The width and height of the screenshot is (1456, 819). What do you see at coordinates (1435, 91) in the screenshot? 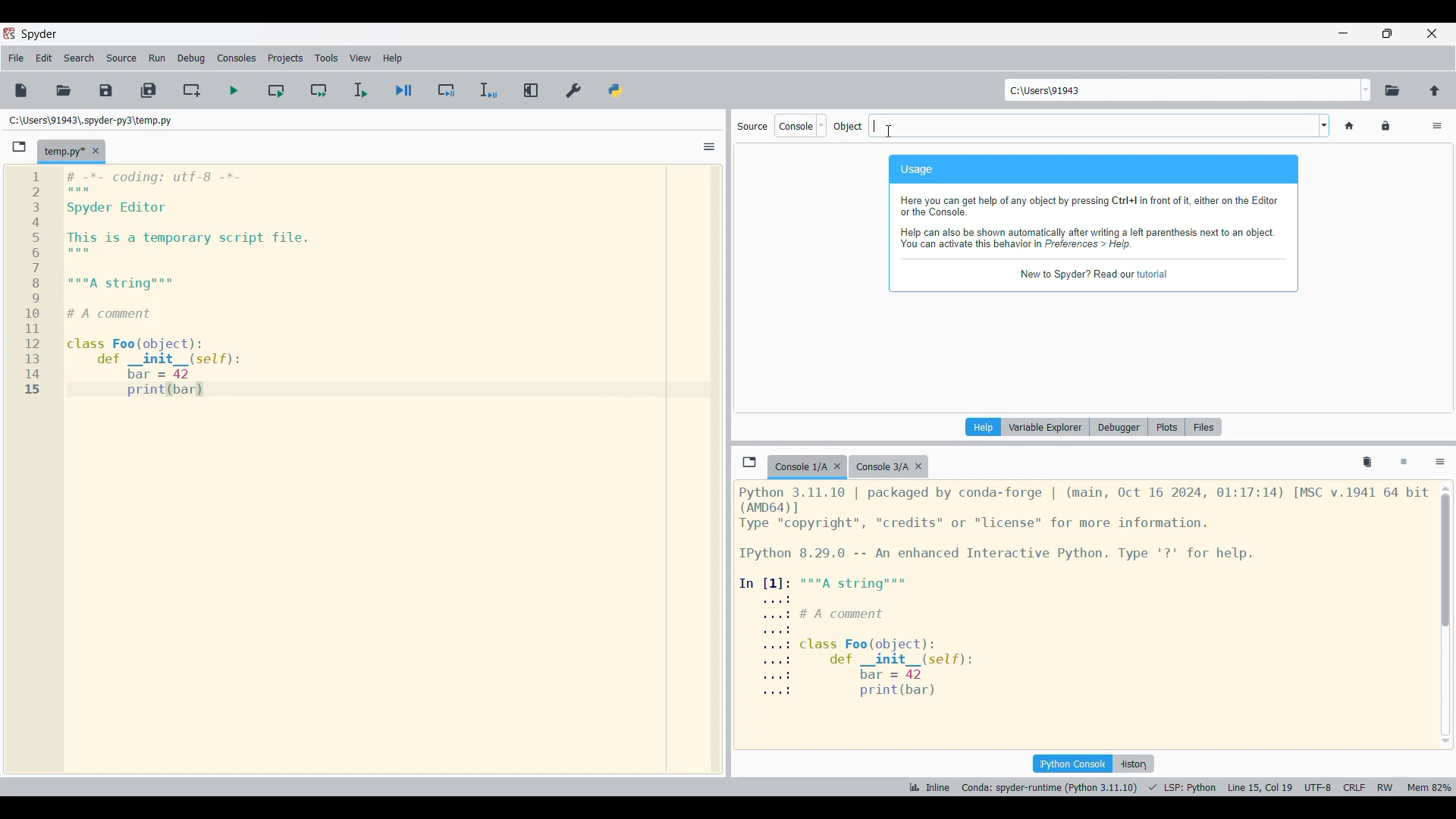
I see `Change to parent directory` at bounding box center [1435, 91].